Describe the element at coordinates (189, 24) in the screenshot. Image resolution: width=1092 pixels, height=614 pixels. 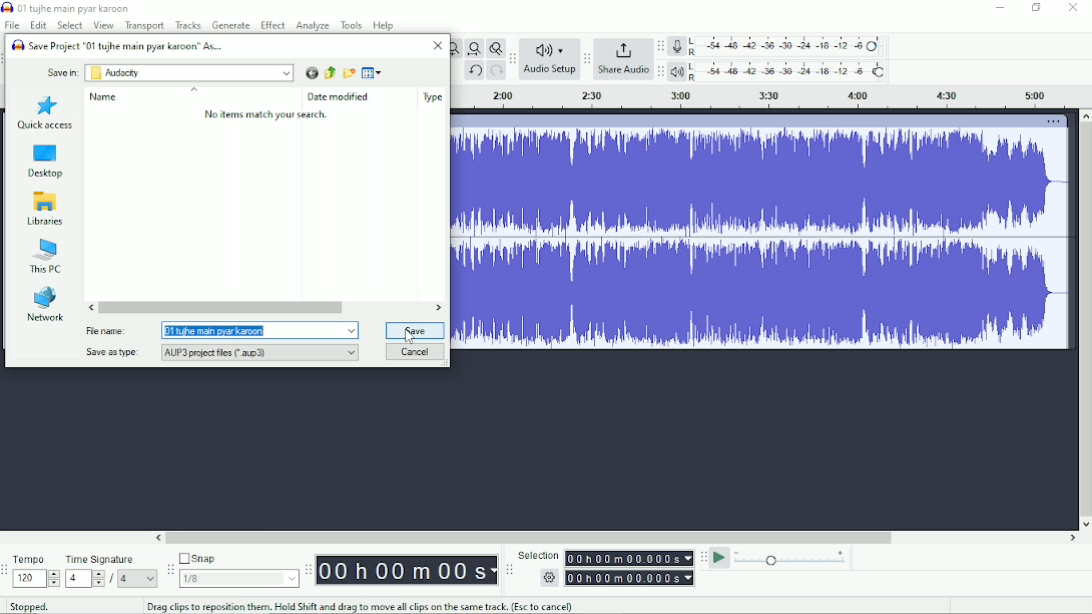
I see `Tracks` at that location.